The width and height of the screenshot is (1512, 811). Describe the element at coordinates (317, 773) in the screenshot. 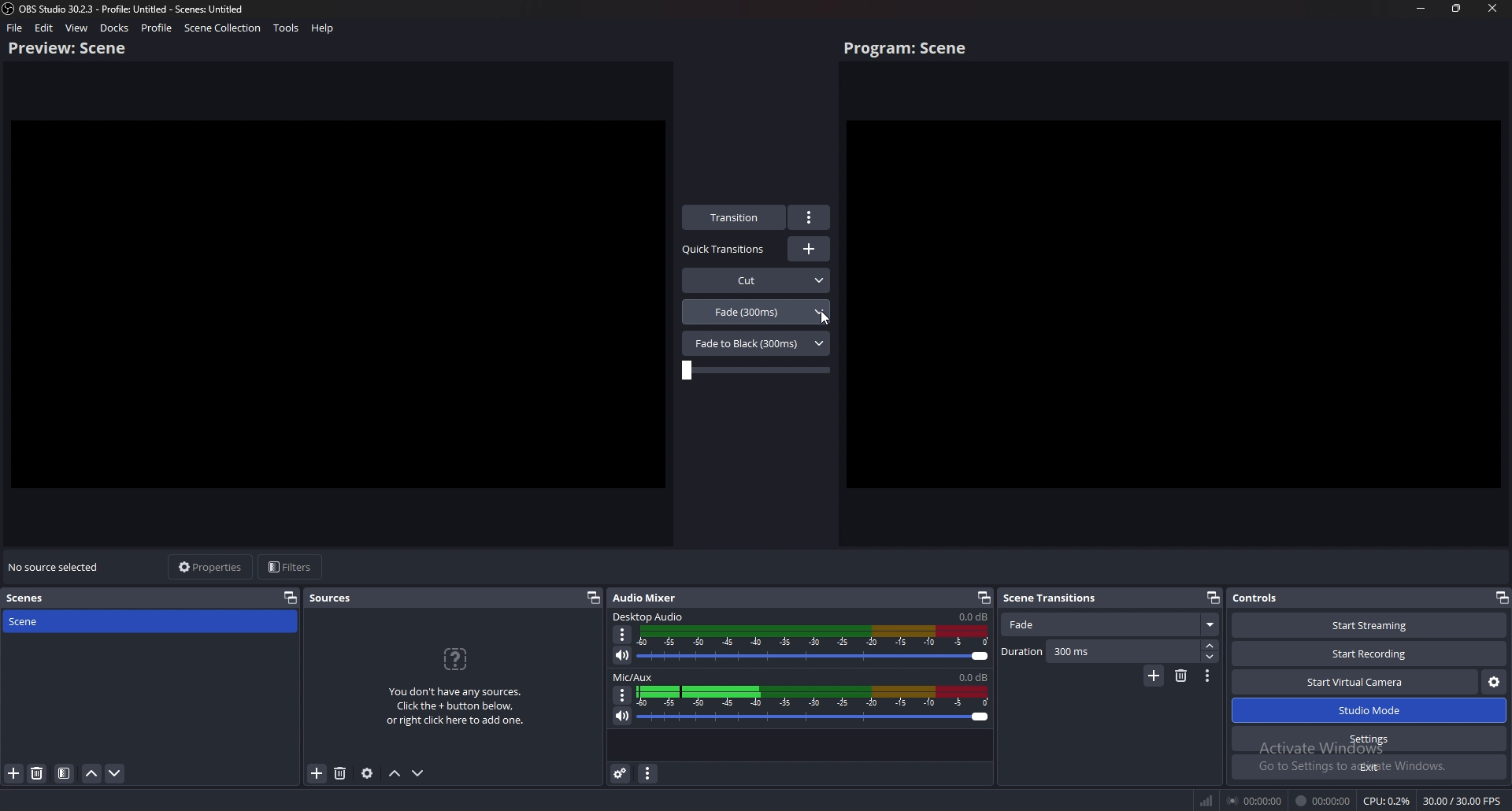

I see `add source` at that location.